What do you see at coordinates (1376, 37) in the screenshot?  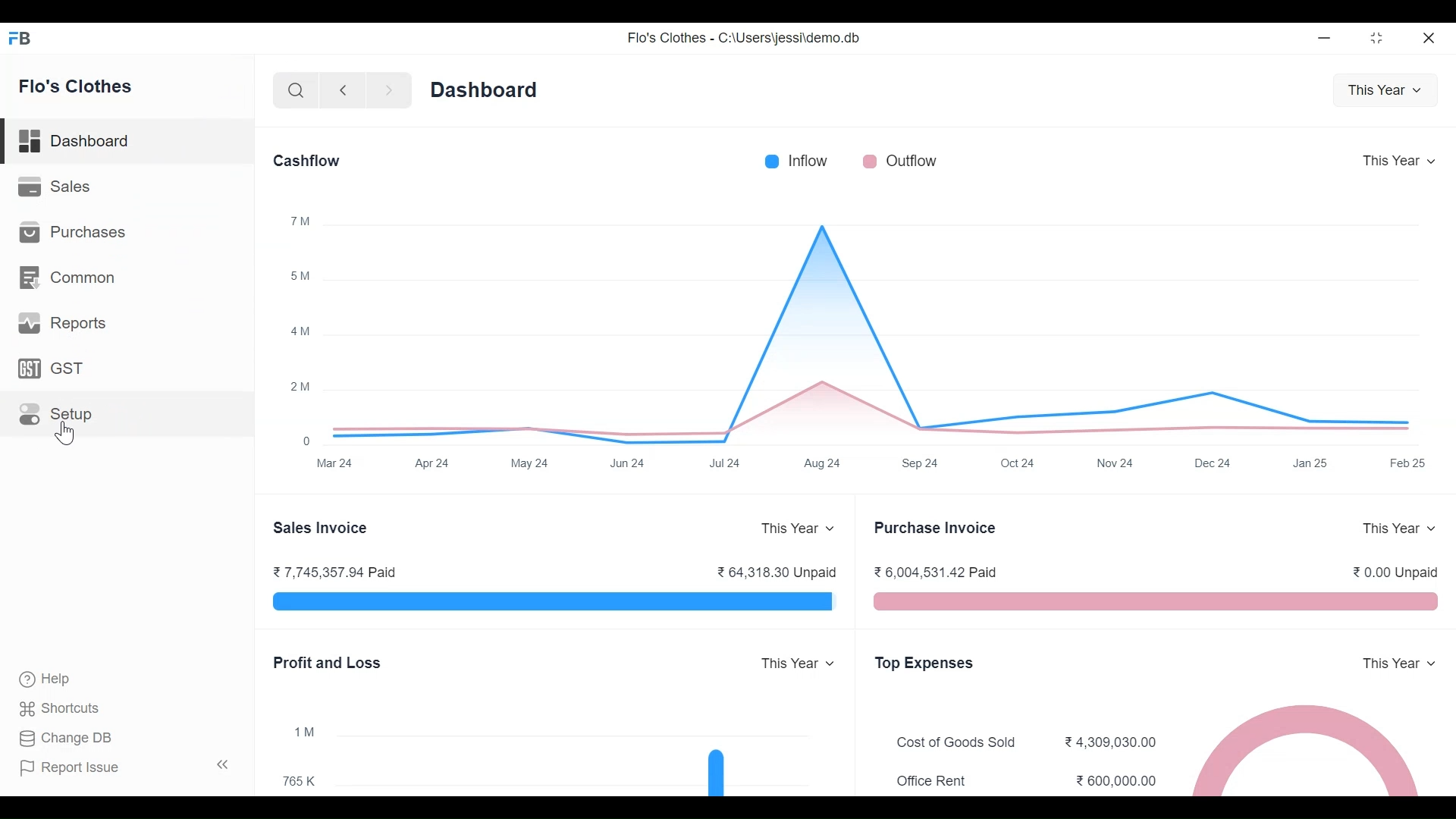 I see `Restore` at bounding box center [1376, 37].